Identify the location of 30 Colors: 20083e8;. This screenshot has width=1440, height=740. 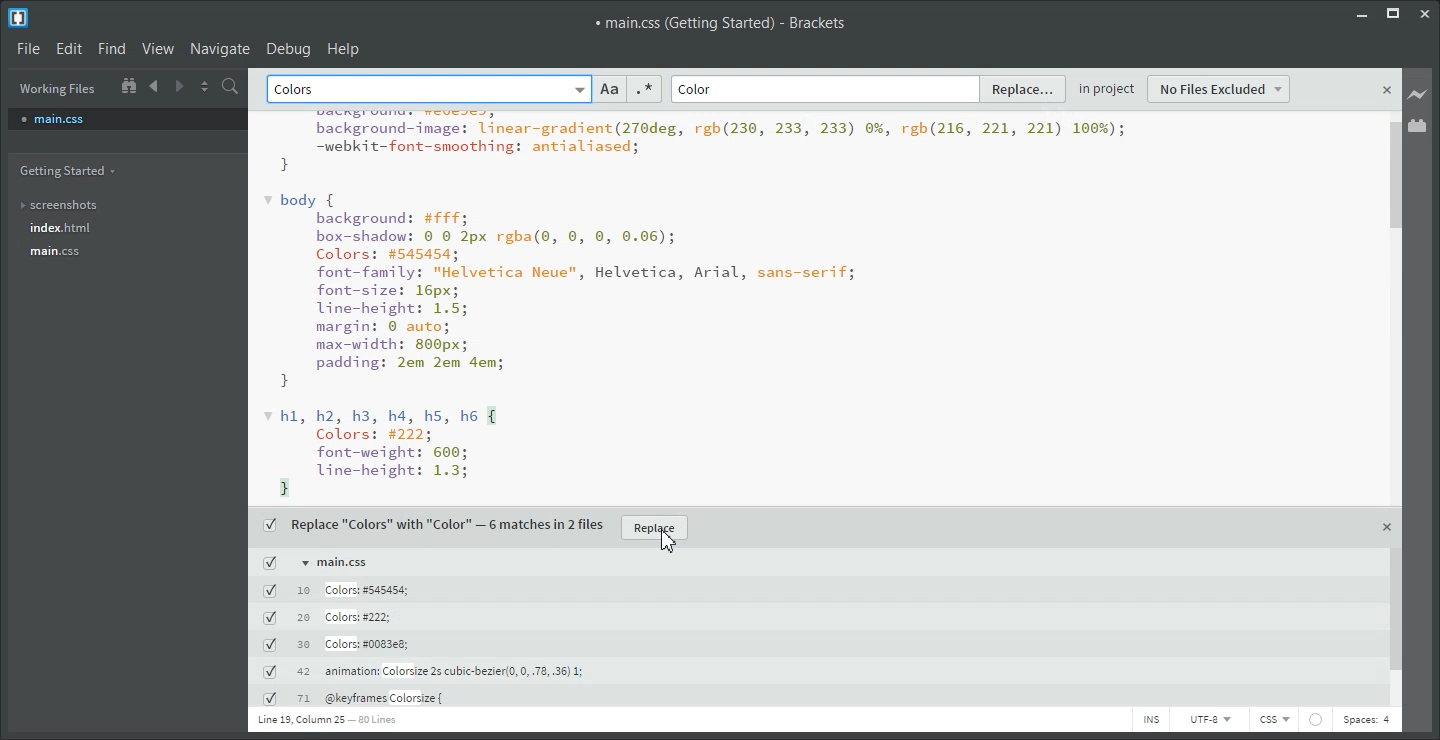
(338, 644).